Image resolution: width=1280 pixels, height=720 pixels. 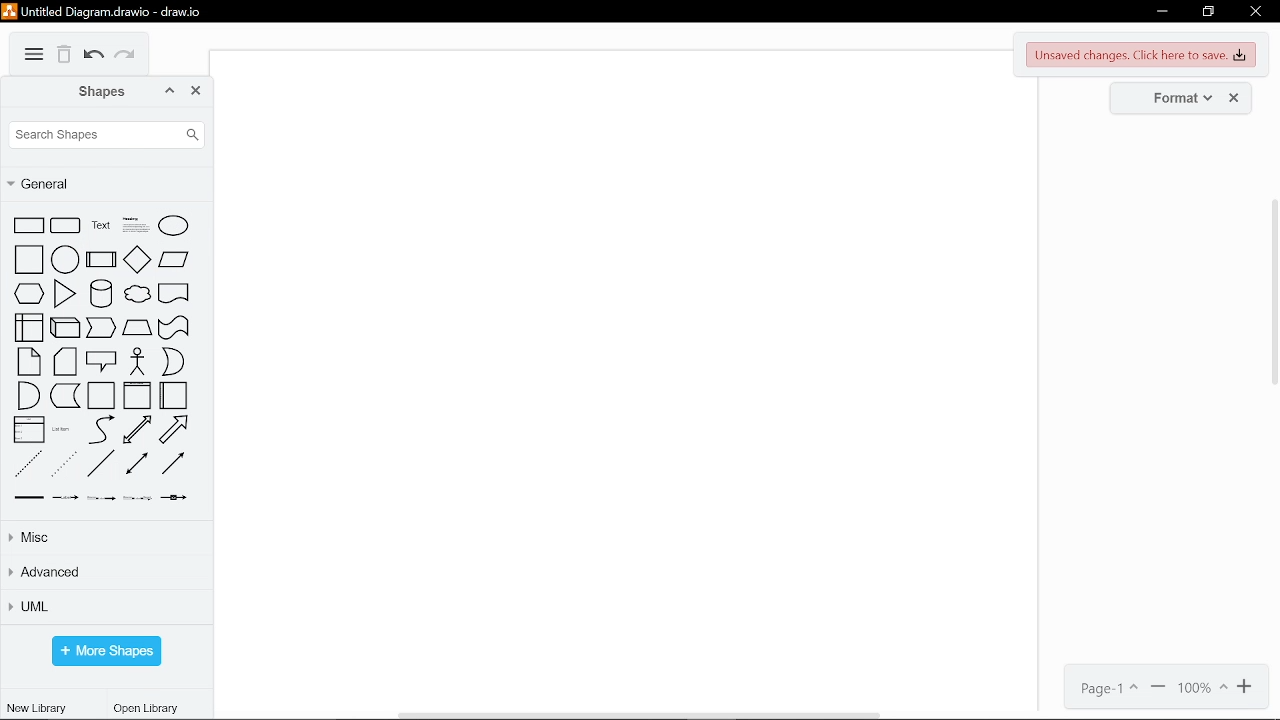 What do you see at coordinates (128, 58) in the screenshot?
I see `redo` at bounding box center [128, 58].